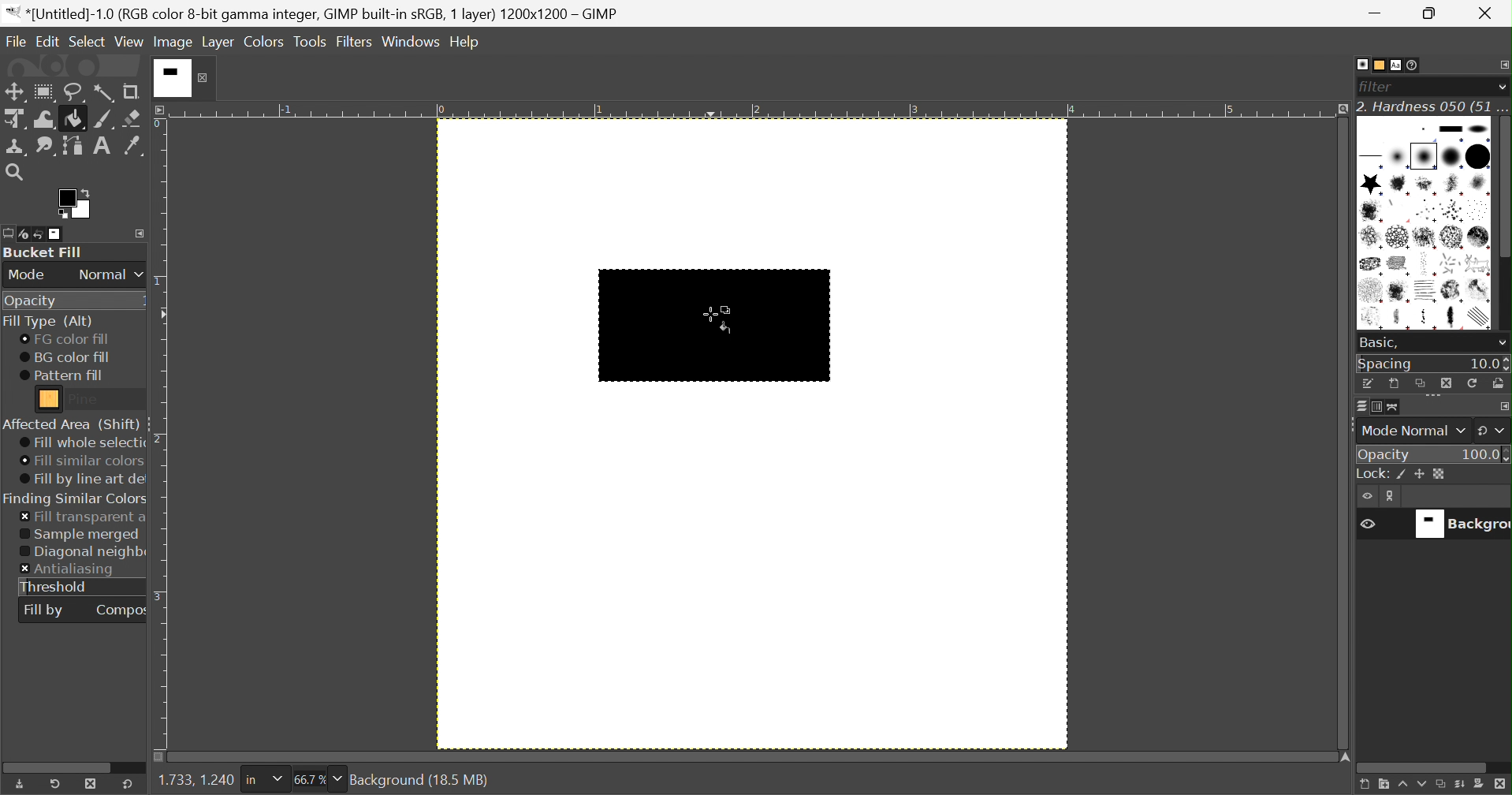 Image resolution: width=1512 pixels, height=795 pixels. I want to click on Font, so click(1397, 66).